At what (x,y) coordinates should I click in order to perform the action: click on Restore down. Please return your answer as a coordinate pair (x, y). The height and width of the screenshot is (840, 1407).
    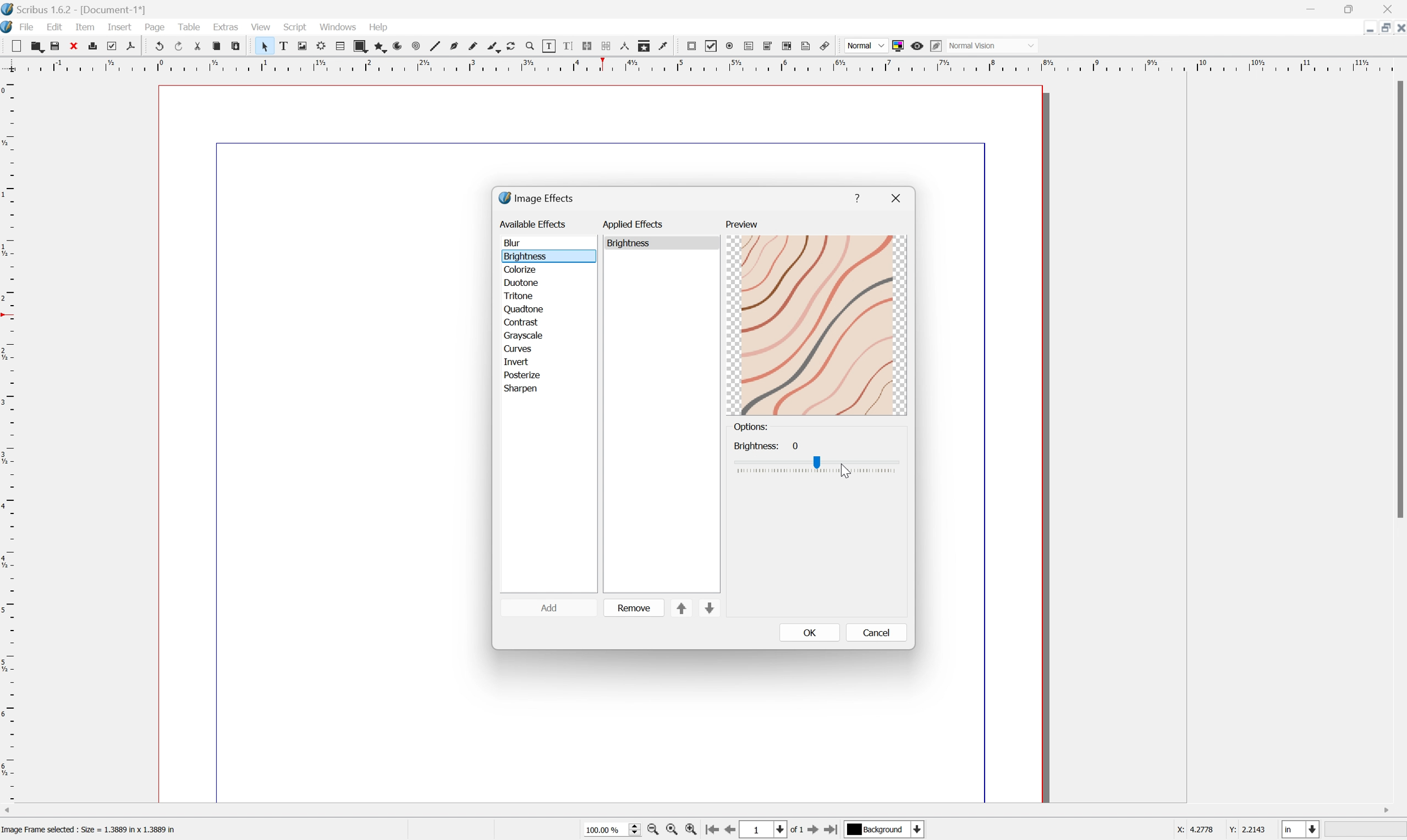
    Looking at the image, I should click on (1353, 8).